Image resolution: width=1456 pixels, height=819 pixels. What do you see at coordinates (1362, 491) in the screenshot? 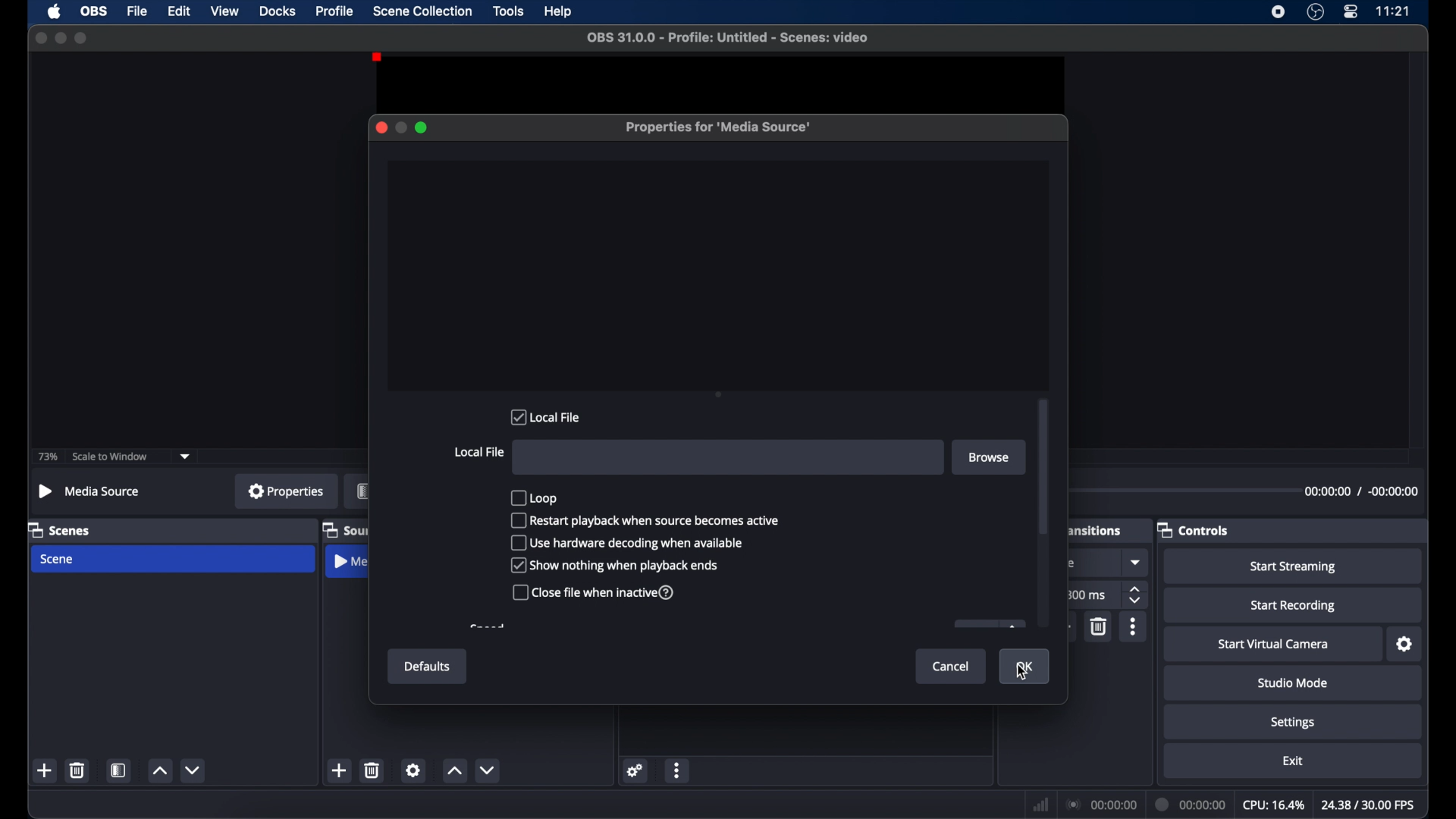
I see `timestamp` at bounding box center [1362, 491].